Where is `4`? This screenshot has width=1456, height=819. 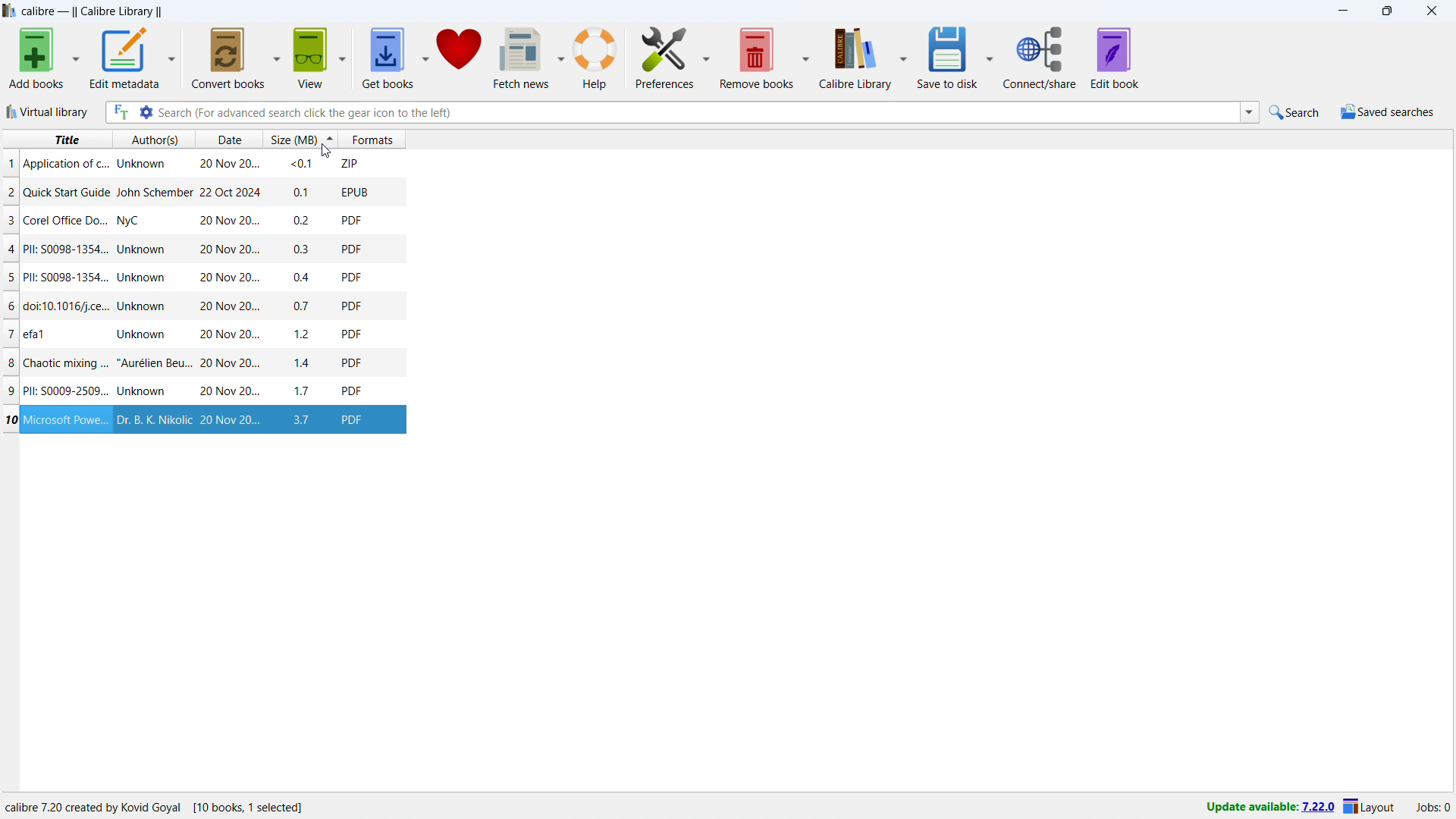
4 is located at coordinates (10, 248).